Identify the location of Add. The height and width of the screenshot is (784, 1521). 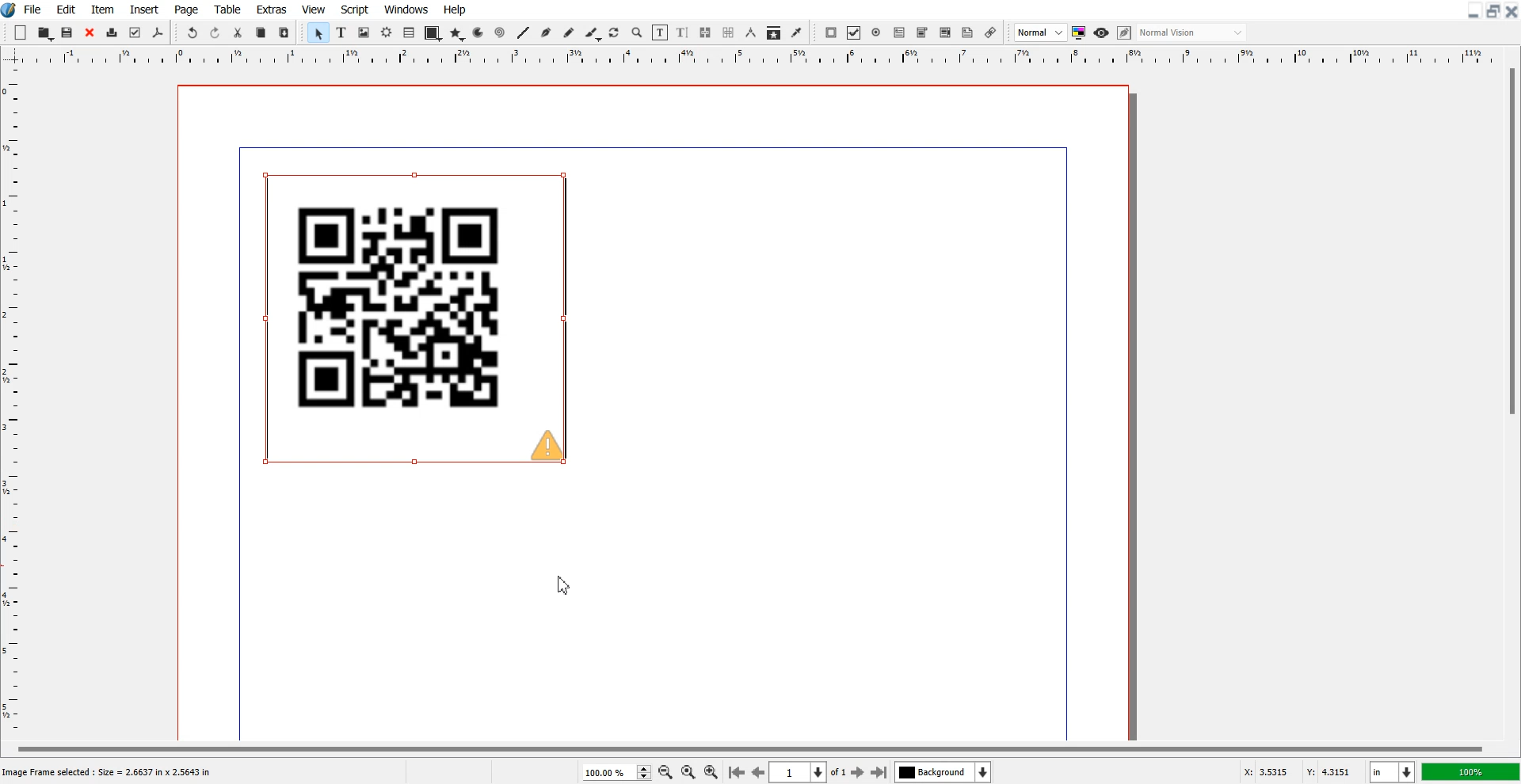
(21, 32).